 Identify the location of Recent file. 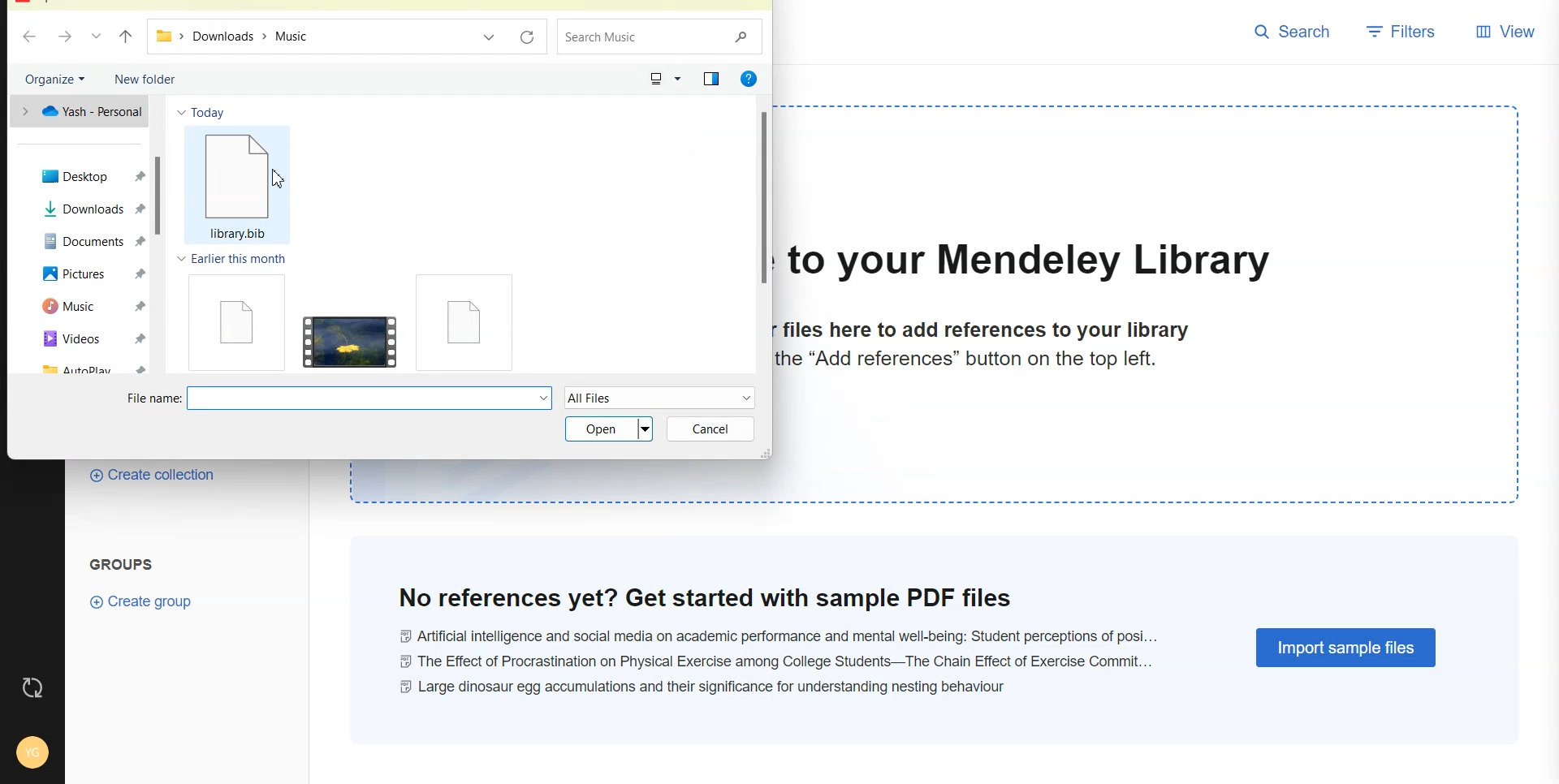
(491, 39).